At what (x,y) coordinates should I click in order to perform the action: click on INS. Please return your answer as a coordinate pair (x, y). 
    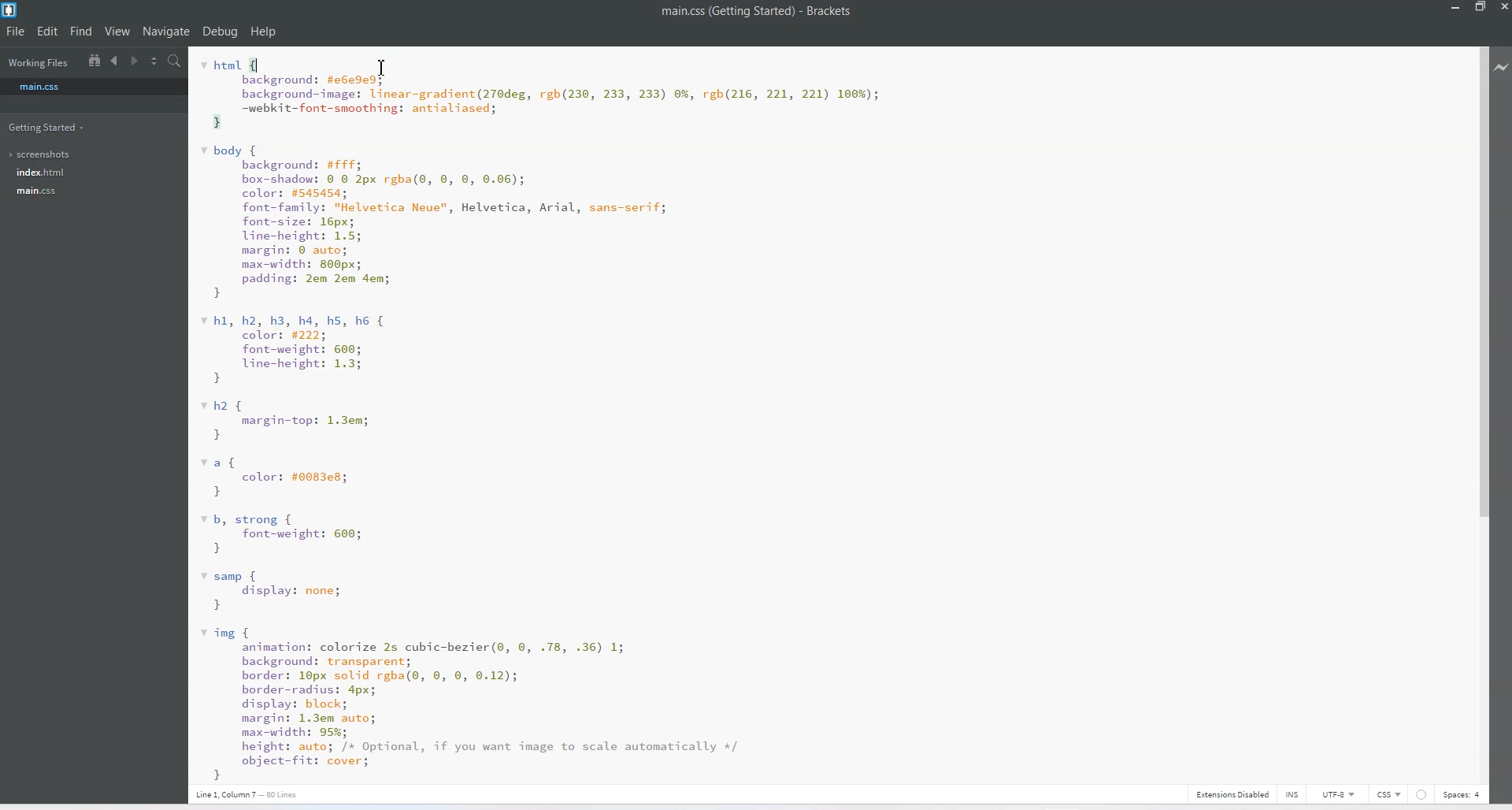
    Looking at the image, I should click on (1291, 794).